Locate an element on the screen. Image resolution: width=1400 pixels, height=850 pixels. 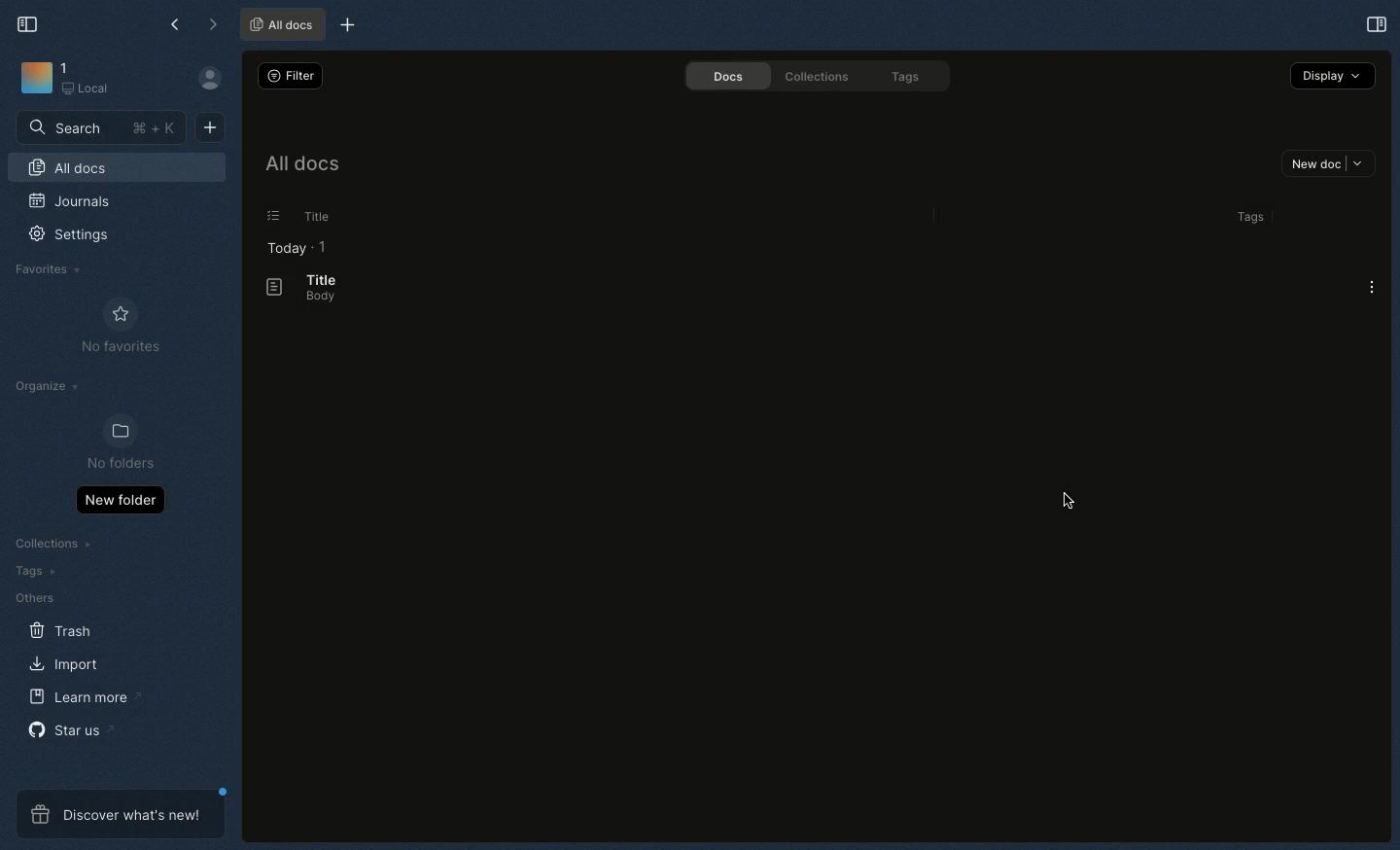
Body is located at coordinates (314, 298).